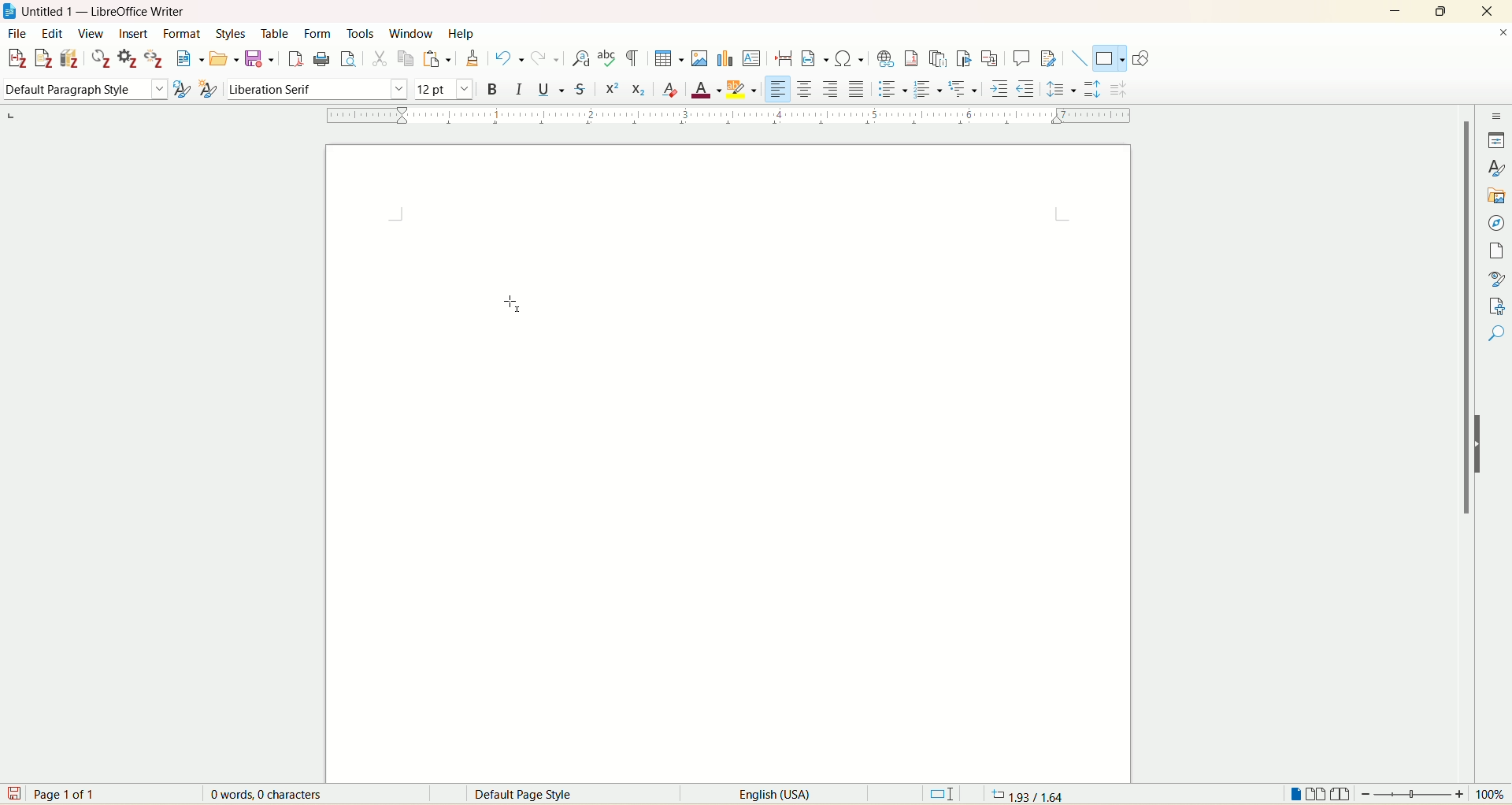  What do you see at coordinates (82, 90) in the screenshot?
I see `paragraph style` at bounding box center [82, 90].